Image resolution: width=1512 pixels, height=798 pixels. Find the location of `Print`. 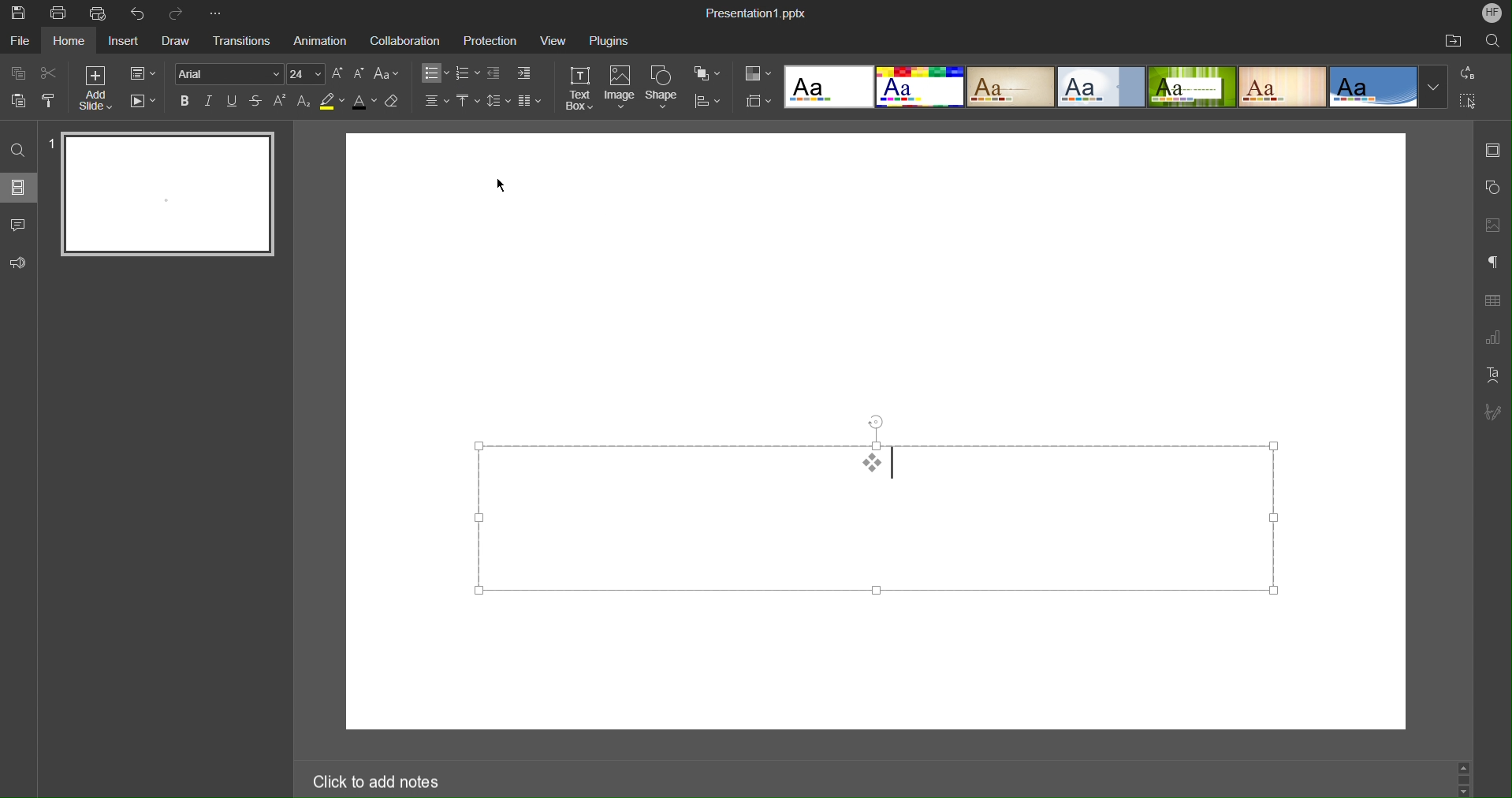

Print is located at coordinates (58, 13).